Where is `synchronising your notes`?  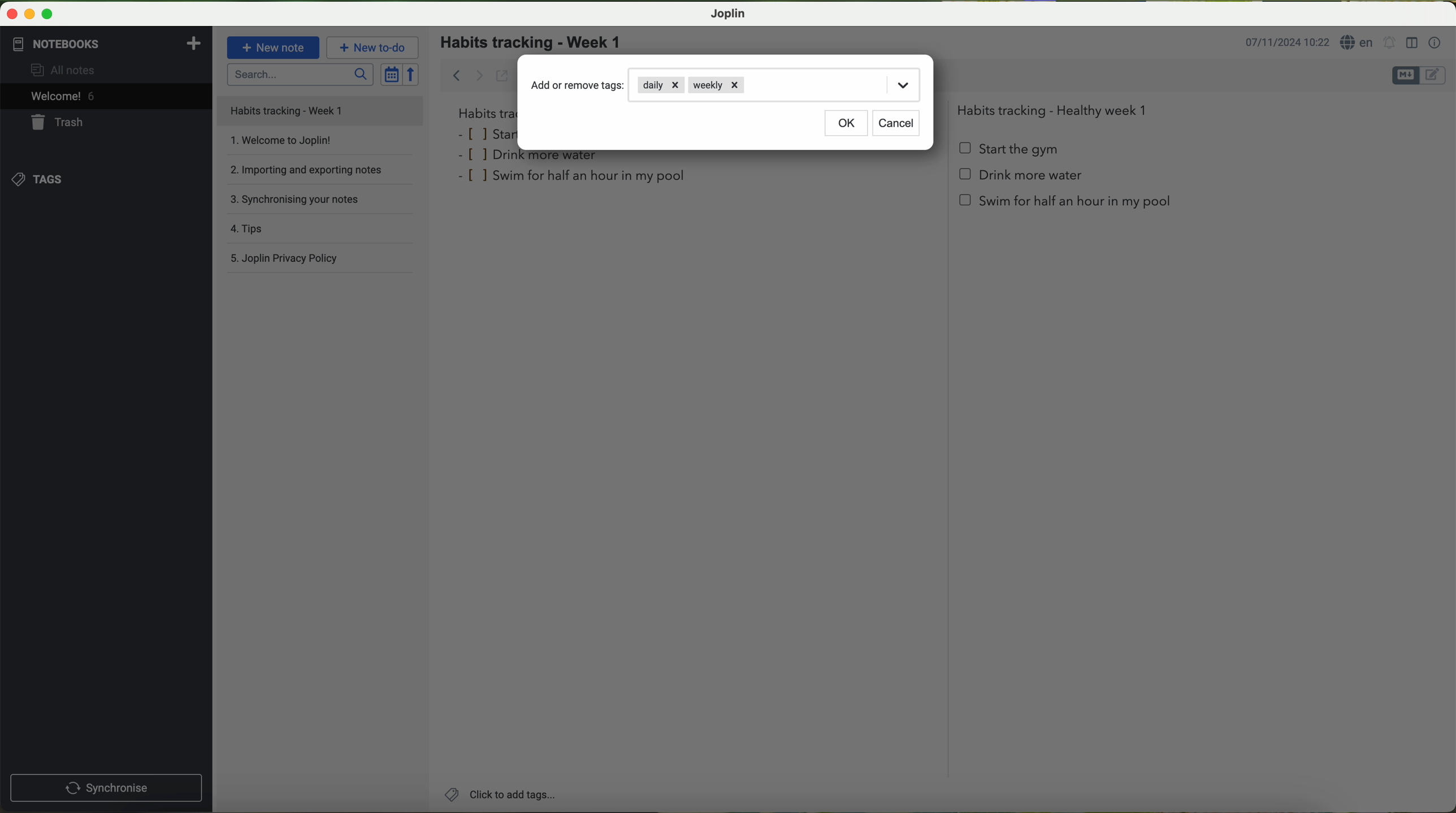 synchronising your notes is located at coordinates (324, 203).